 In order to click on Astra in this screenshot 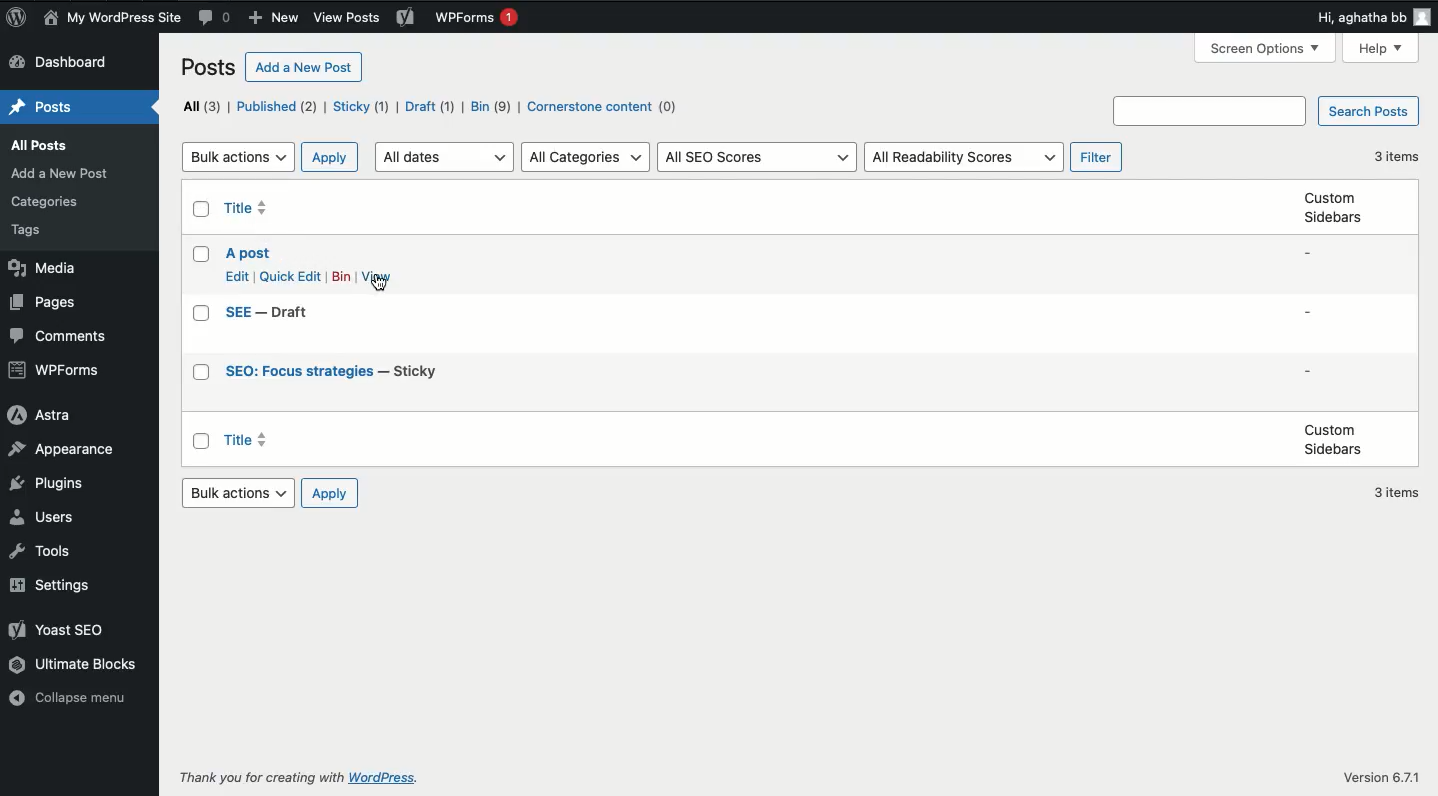, I will do `click(43, 414)`.